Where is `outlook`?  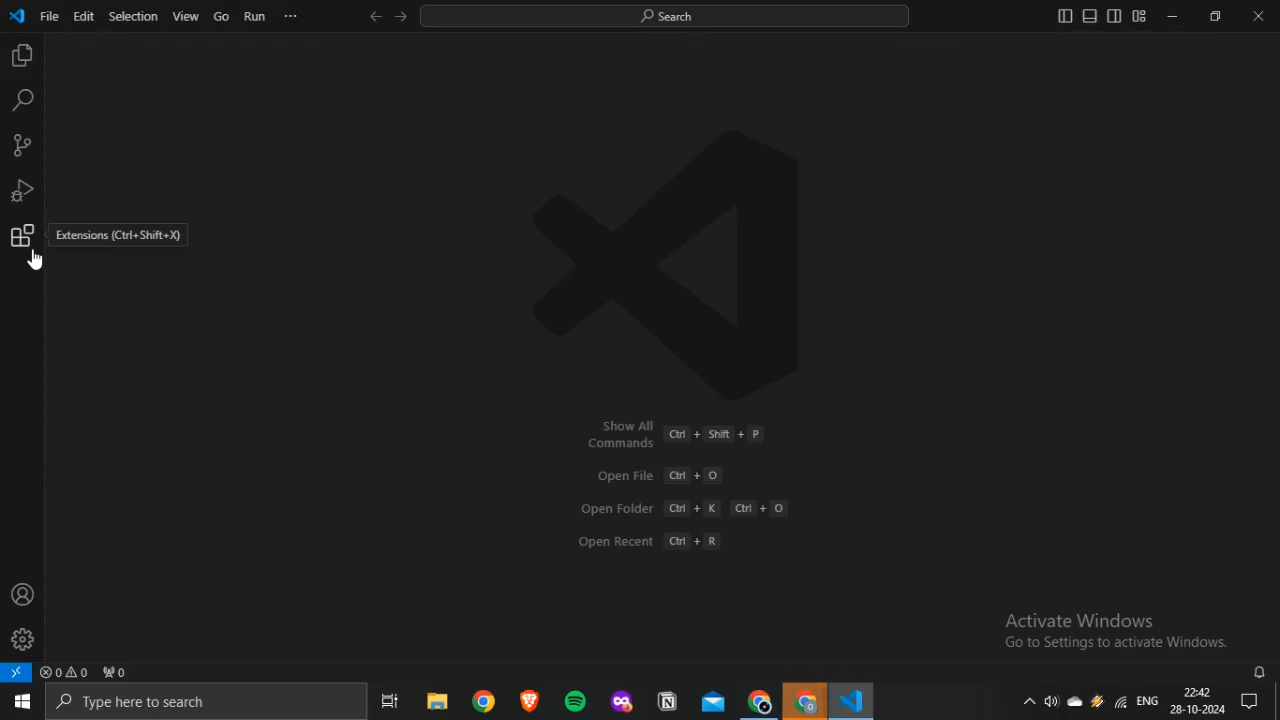 outlook is located at coordinates (715, 701).